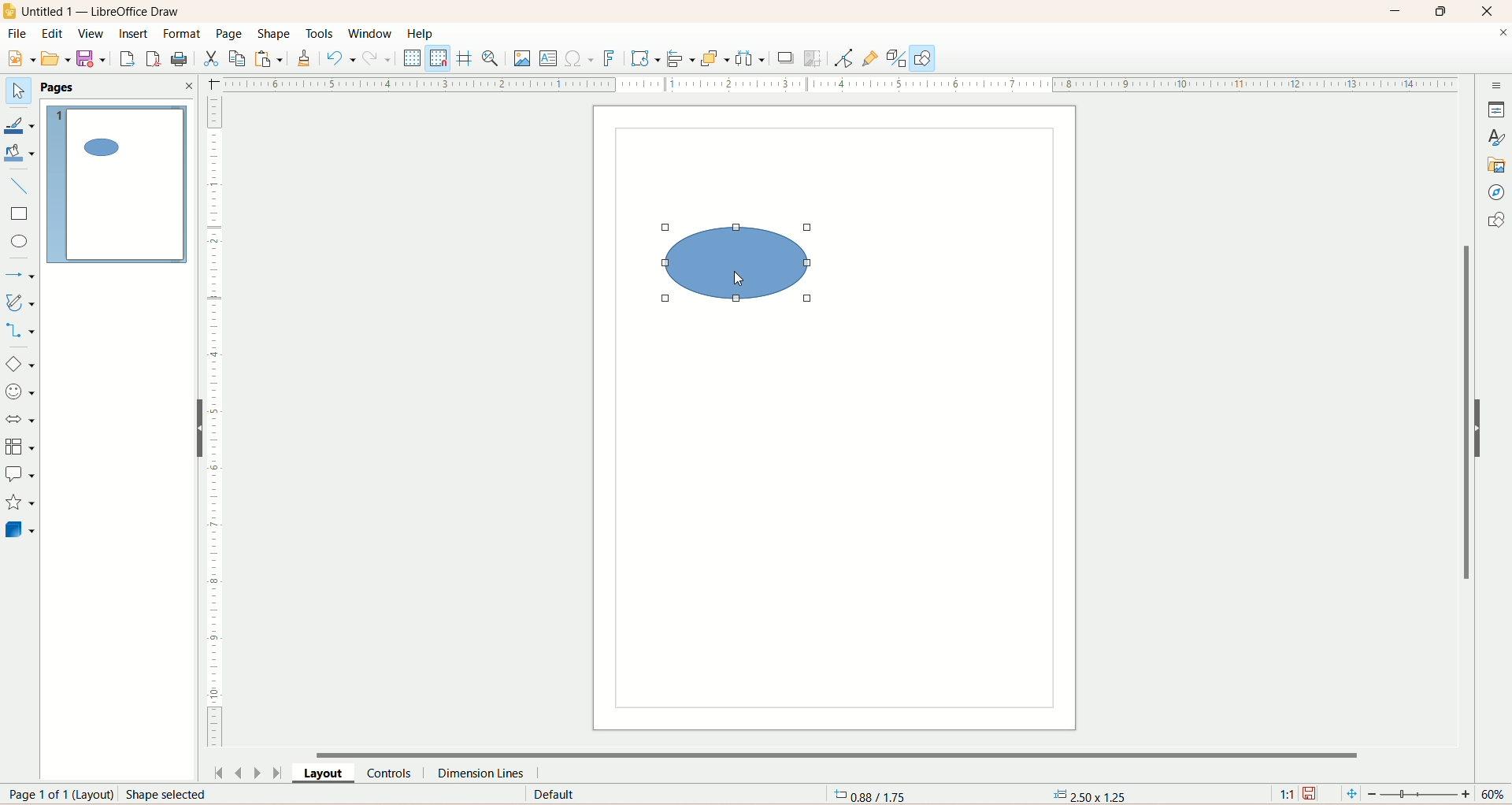 This screenshot has height=805, width=1512. What do you see at coordinates (51, 33) in the screenshot?
I see `edit` at bounding box center [51, 33].